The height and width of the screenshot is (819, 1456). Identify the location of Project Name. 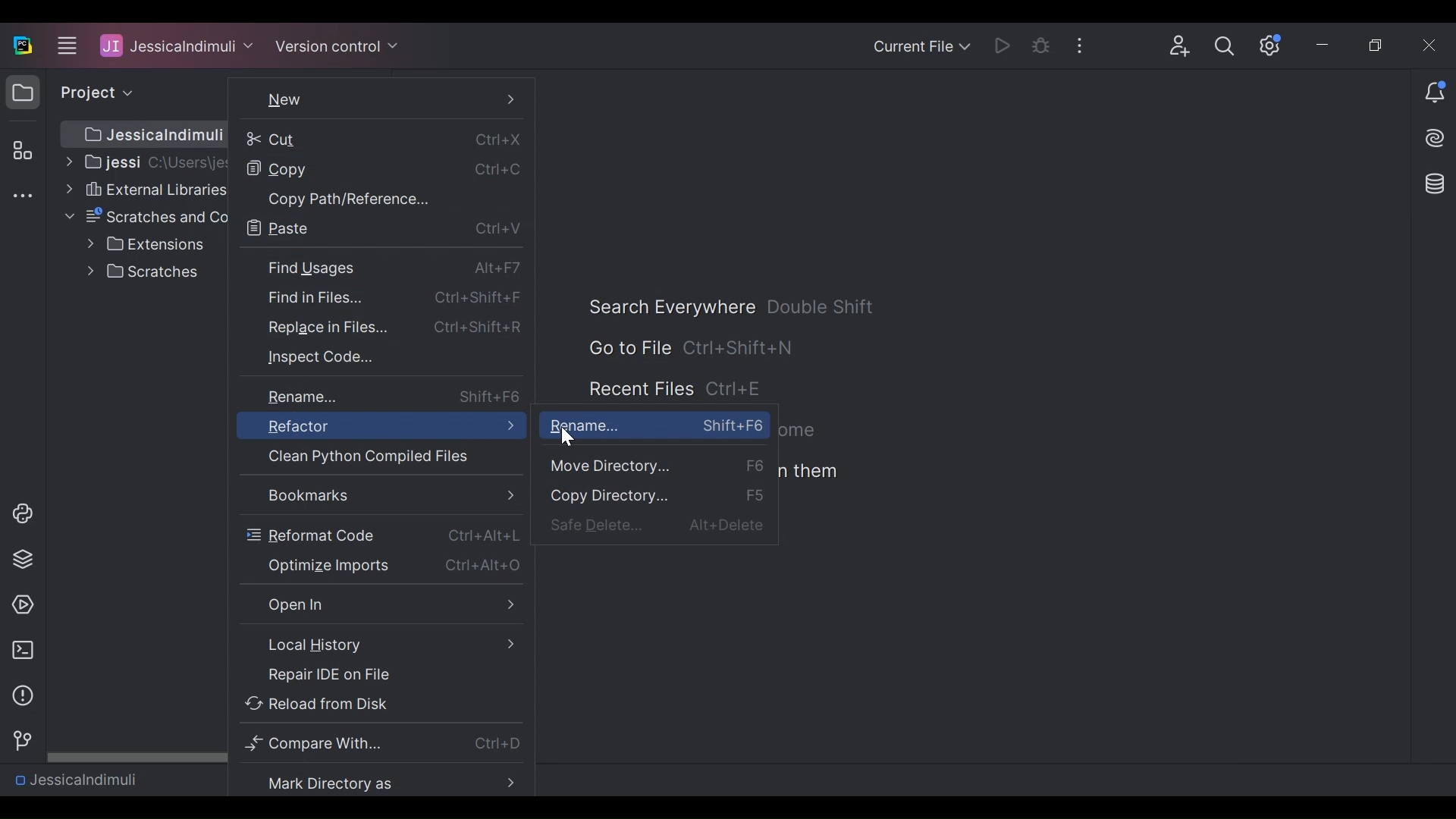
(177, 45).